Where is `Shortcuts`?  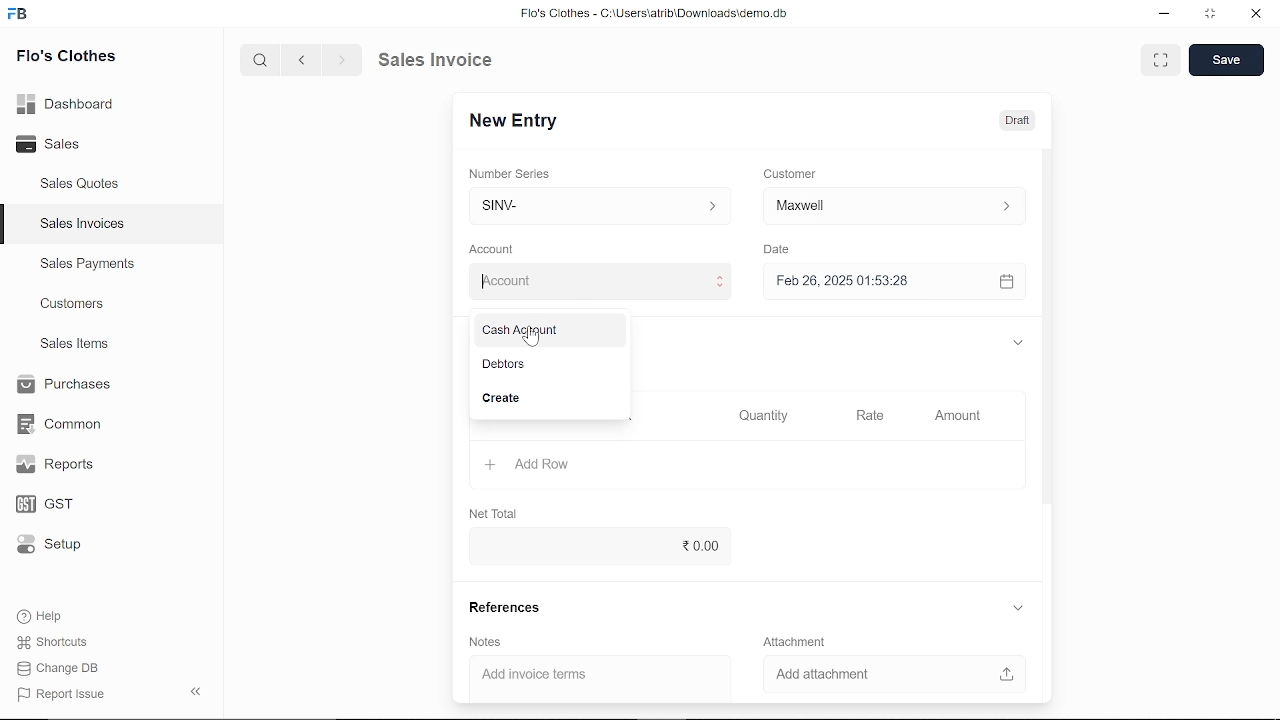
Shortcuts is located at coordinates (63, 643).